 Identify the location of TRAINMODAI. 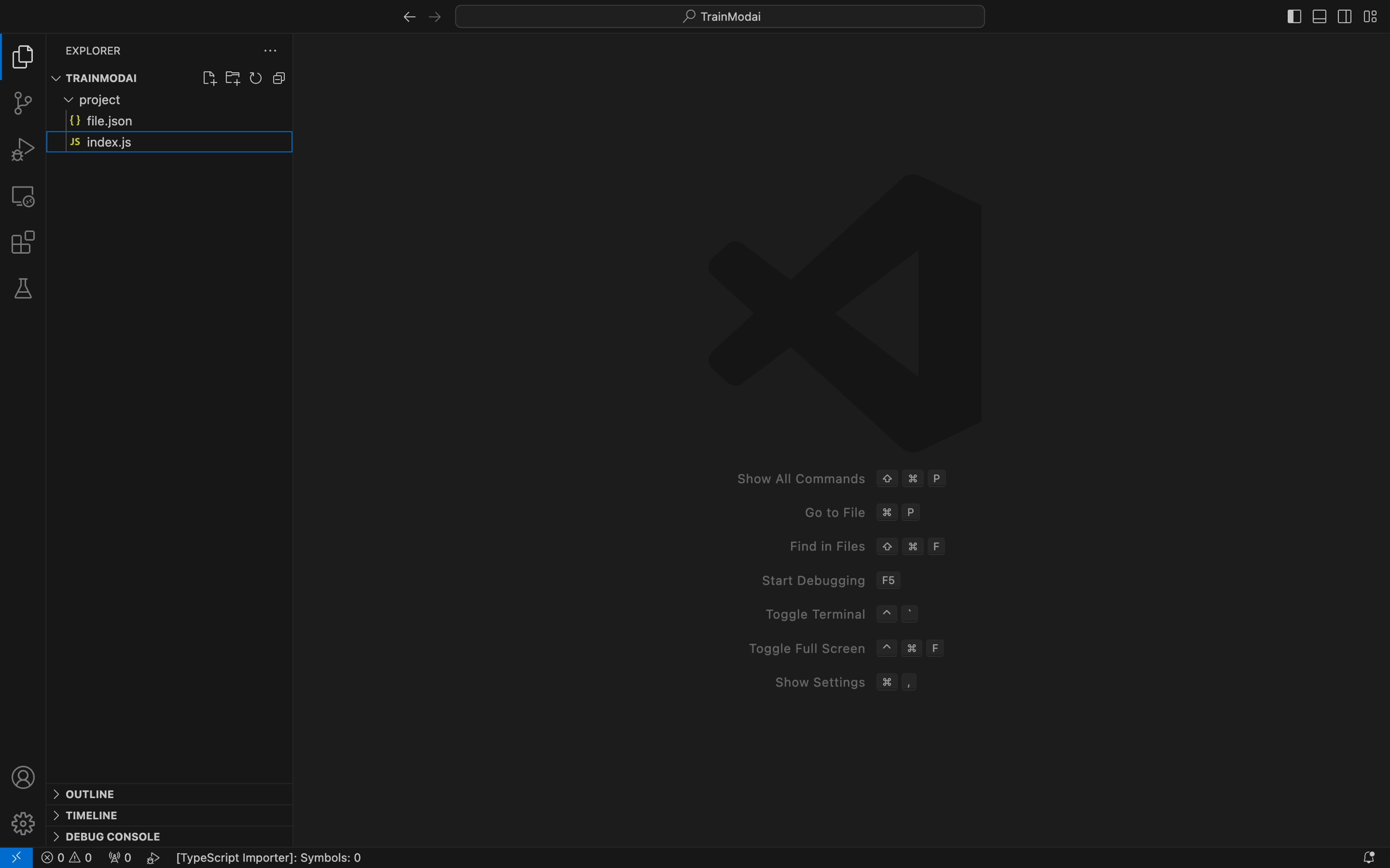
(110, 80).